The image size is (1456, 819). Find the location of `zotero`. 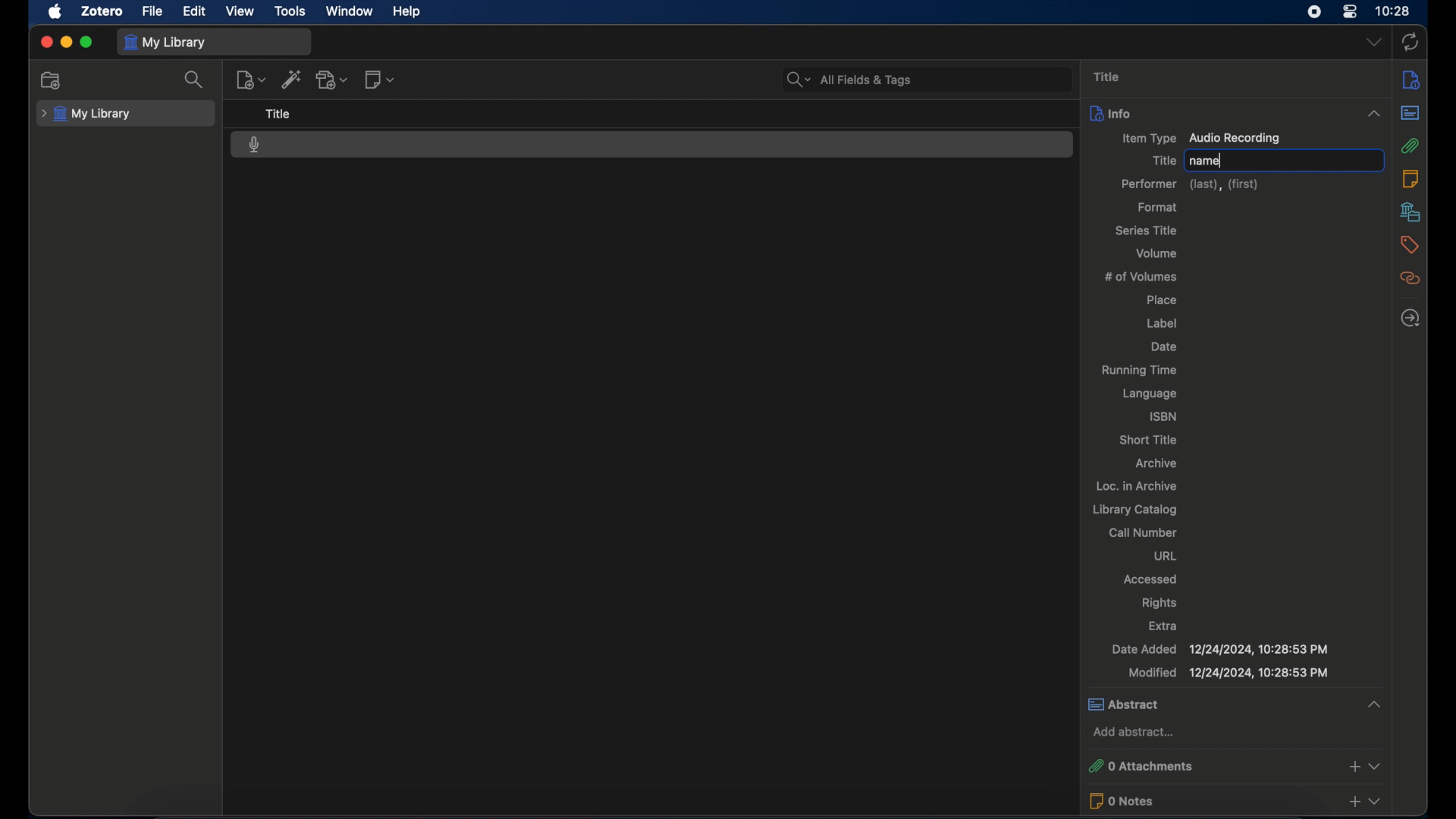

zotero is located at coordinates (102, 11).